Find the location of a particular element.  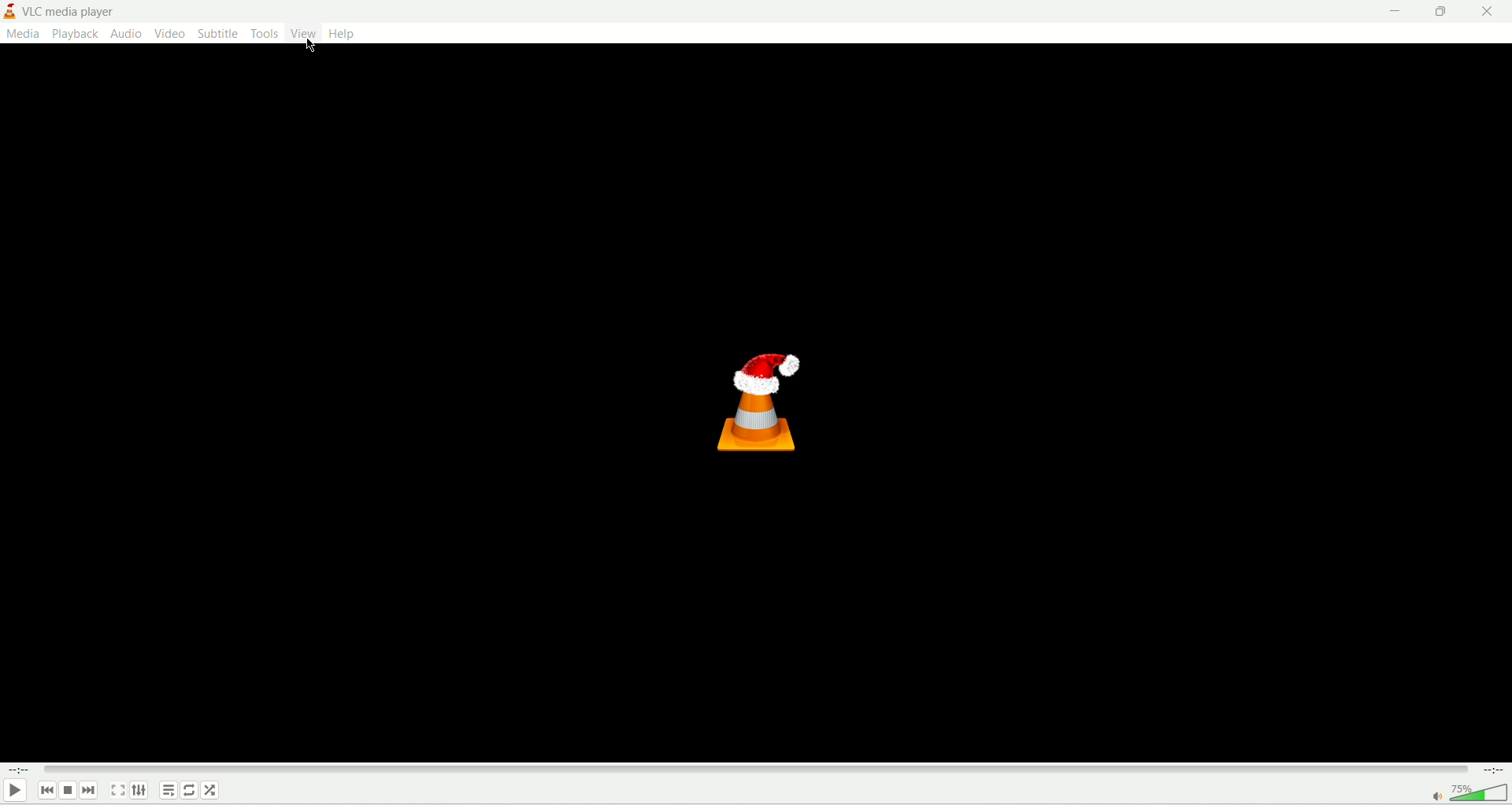

fullscreen is located at coordinates (118, 790).